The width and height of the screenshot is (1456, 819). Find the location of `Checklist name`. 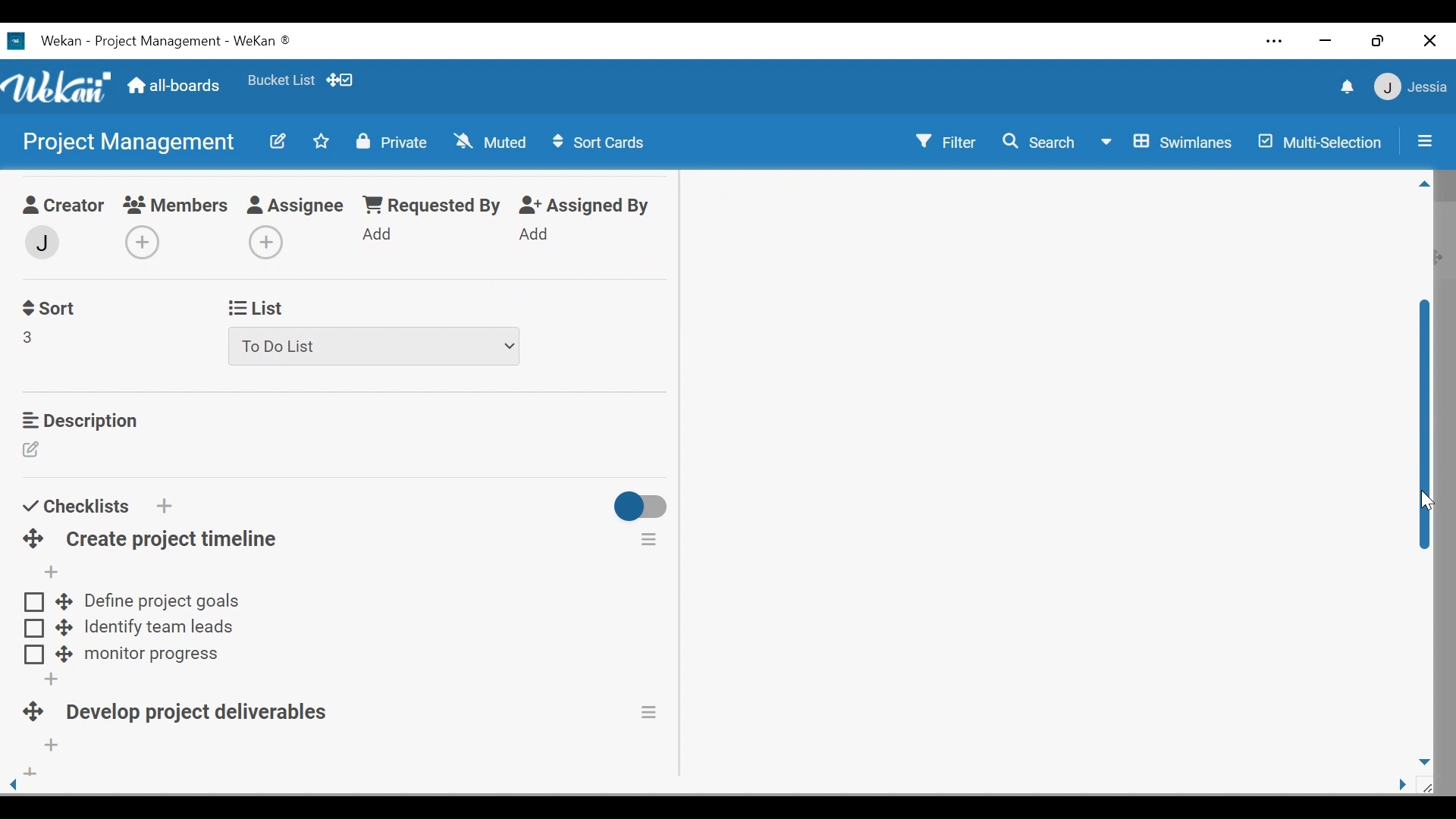

Checklist name is located at coordinates (171, 540).